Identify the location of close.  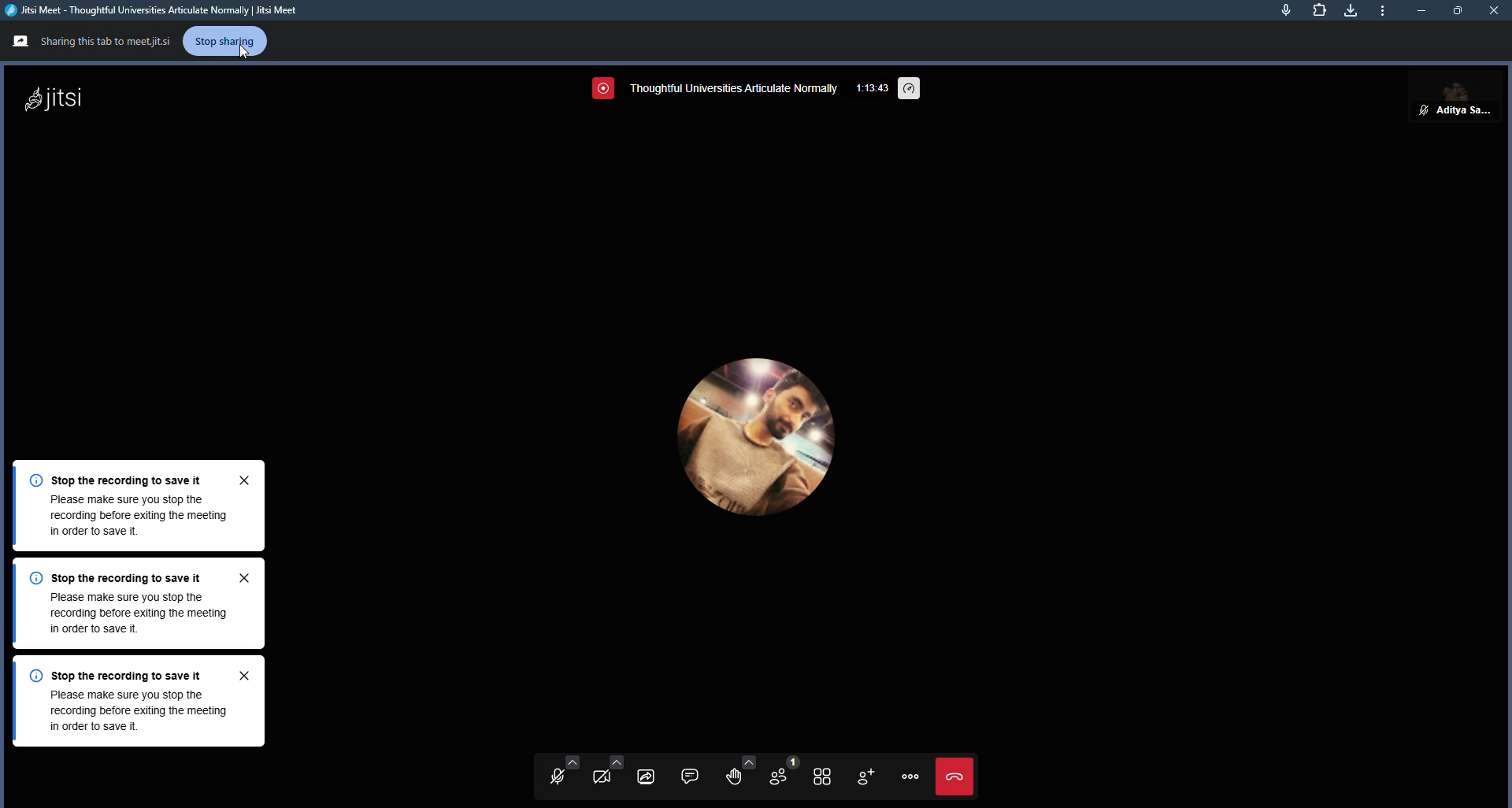
(247, 479).